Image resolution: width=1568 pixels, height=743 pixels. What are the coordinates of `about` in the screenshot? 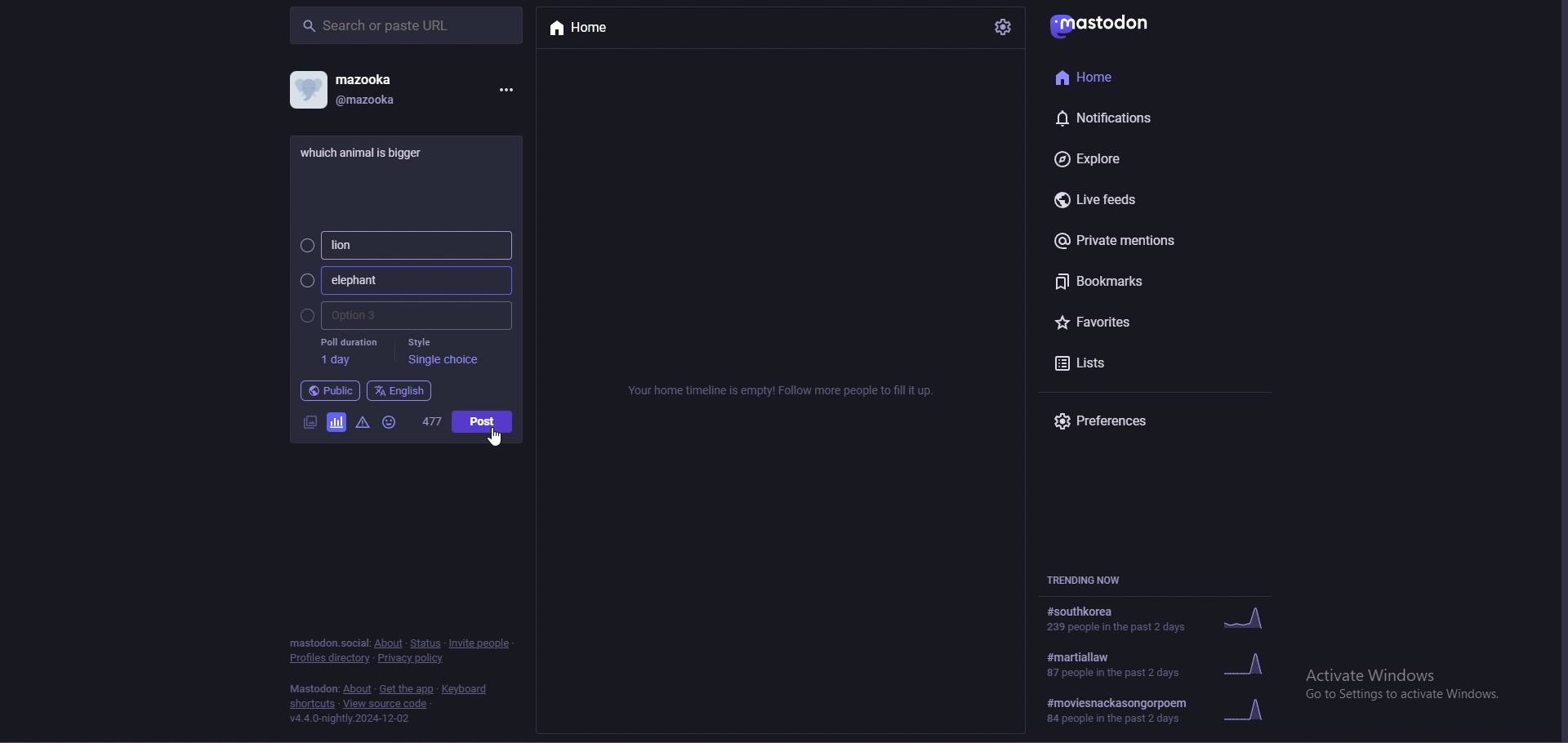 It's located at (357, 689).